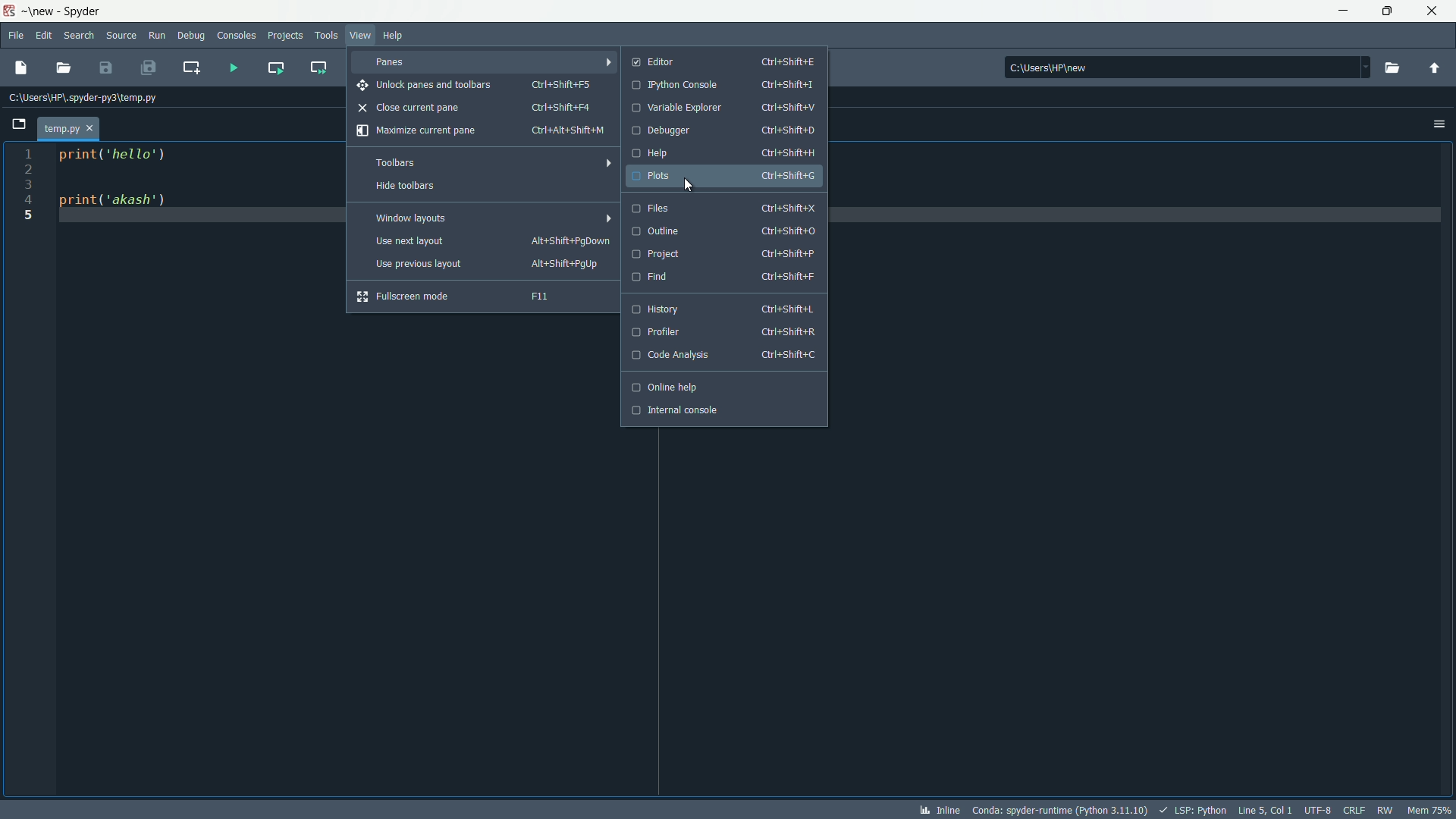  Describe the element at coordinates (105, 68) in the screenshot. I see `save file` at that location.